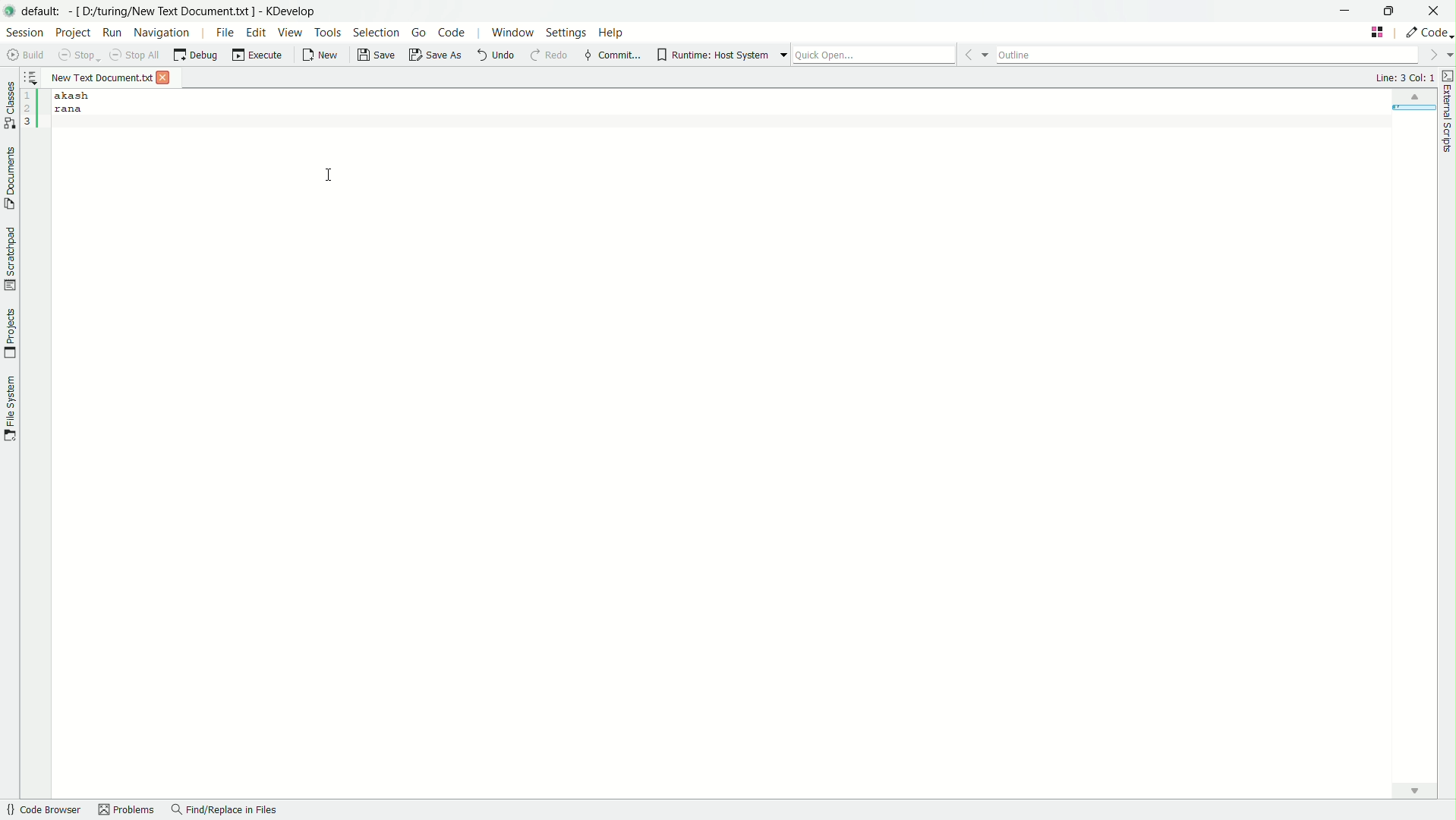  I want to click on runtime host system, so click(712, 55).